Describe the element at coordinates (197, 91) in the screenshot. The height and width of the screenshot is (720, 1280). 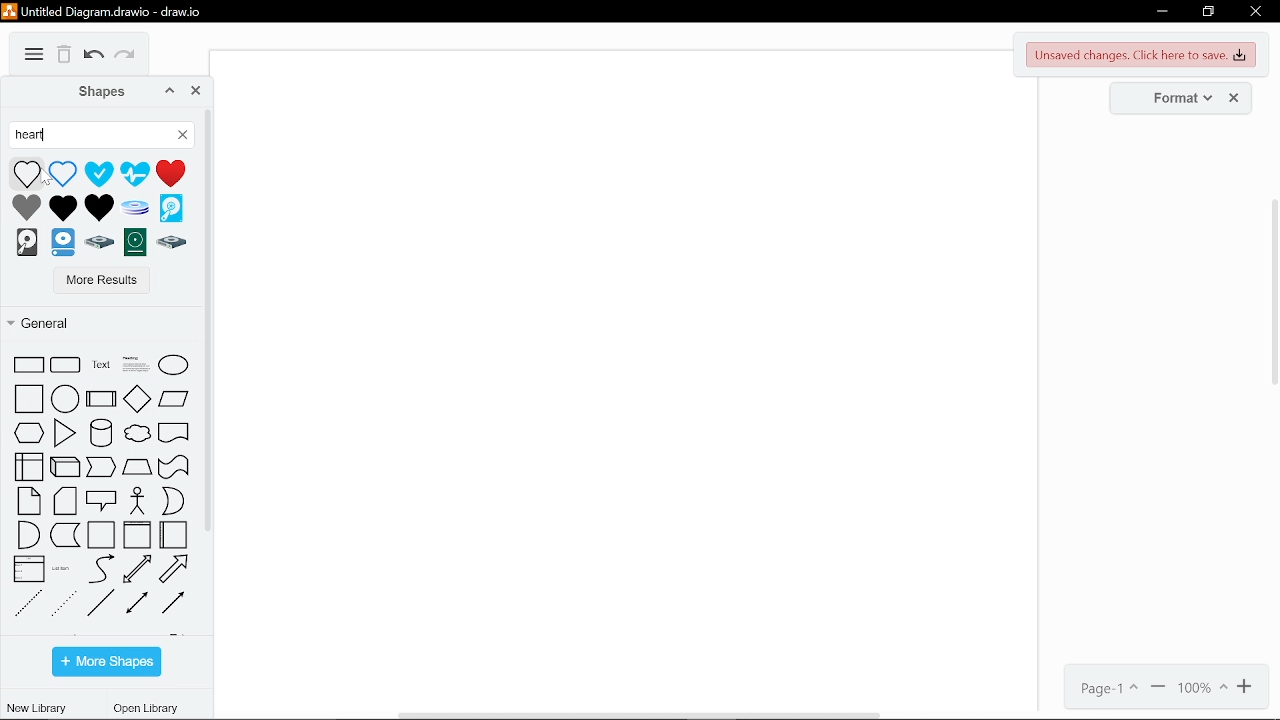
I see `close` at that location.